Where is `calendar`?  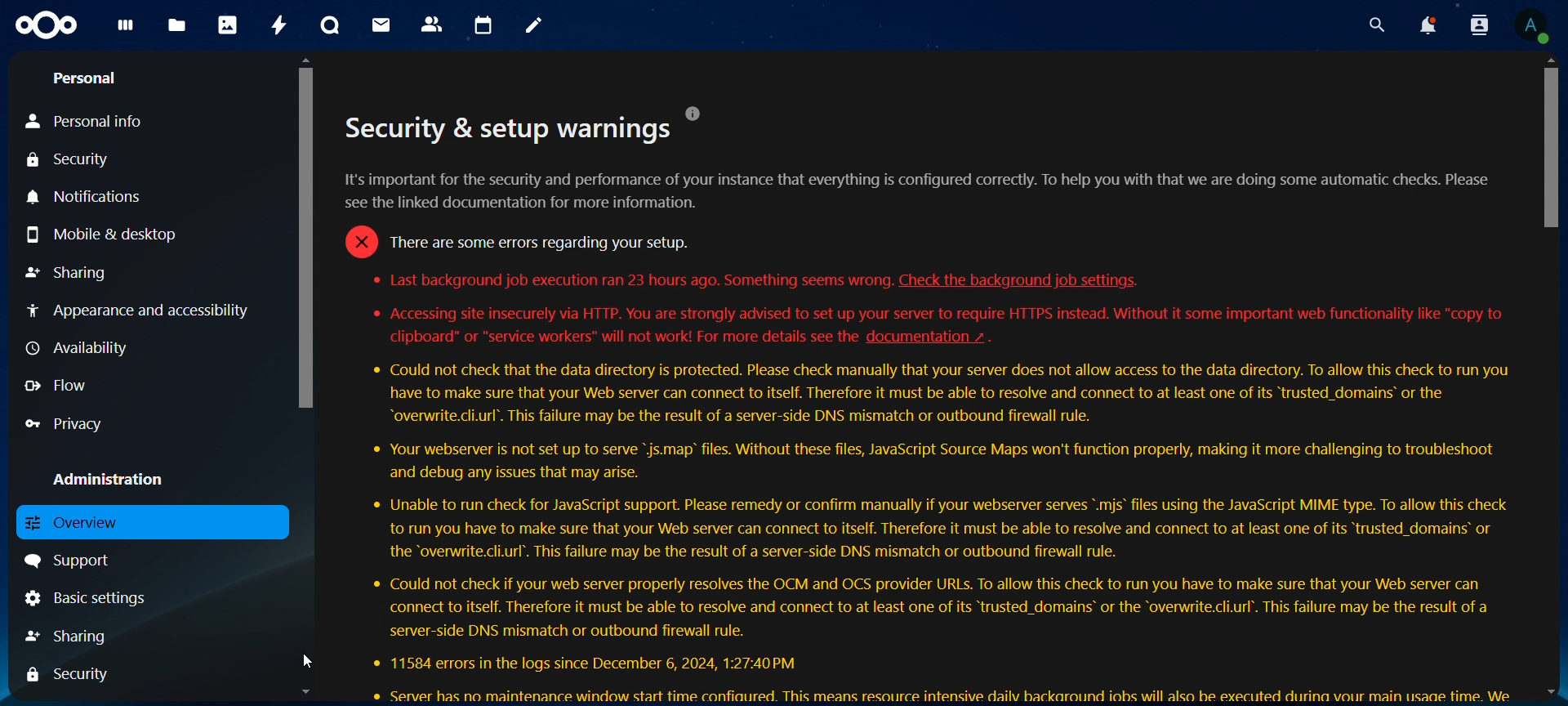
calendar is located at coordinates (483, 26).